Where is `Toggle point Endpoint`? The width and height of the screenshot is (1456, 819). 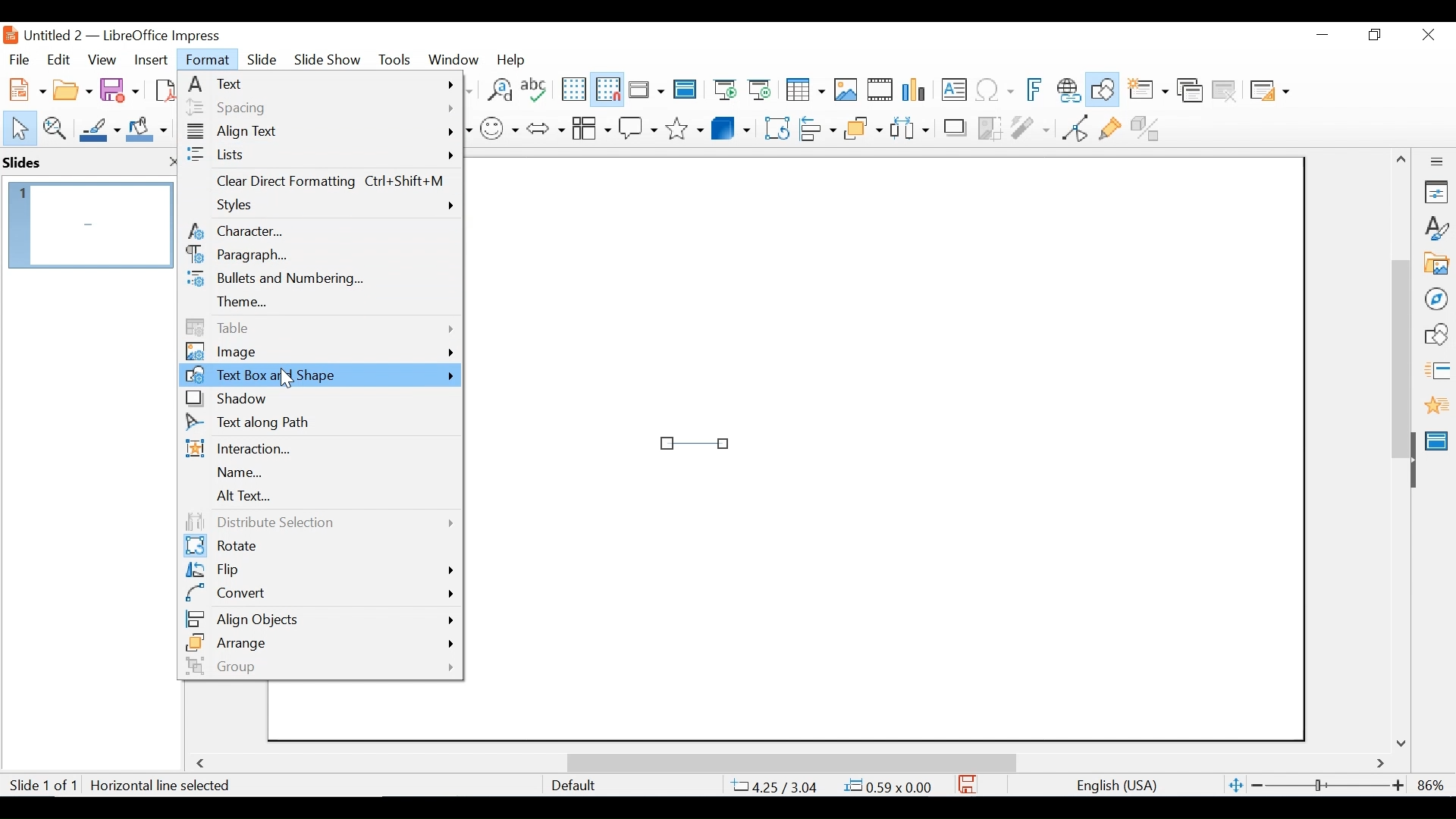
Toggle point Endpoint is located at coordinates (1072, 127).